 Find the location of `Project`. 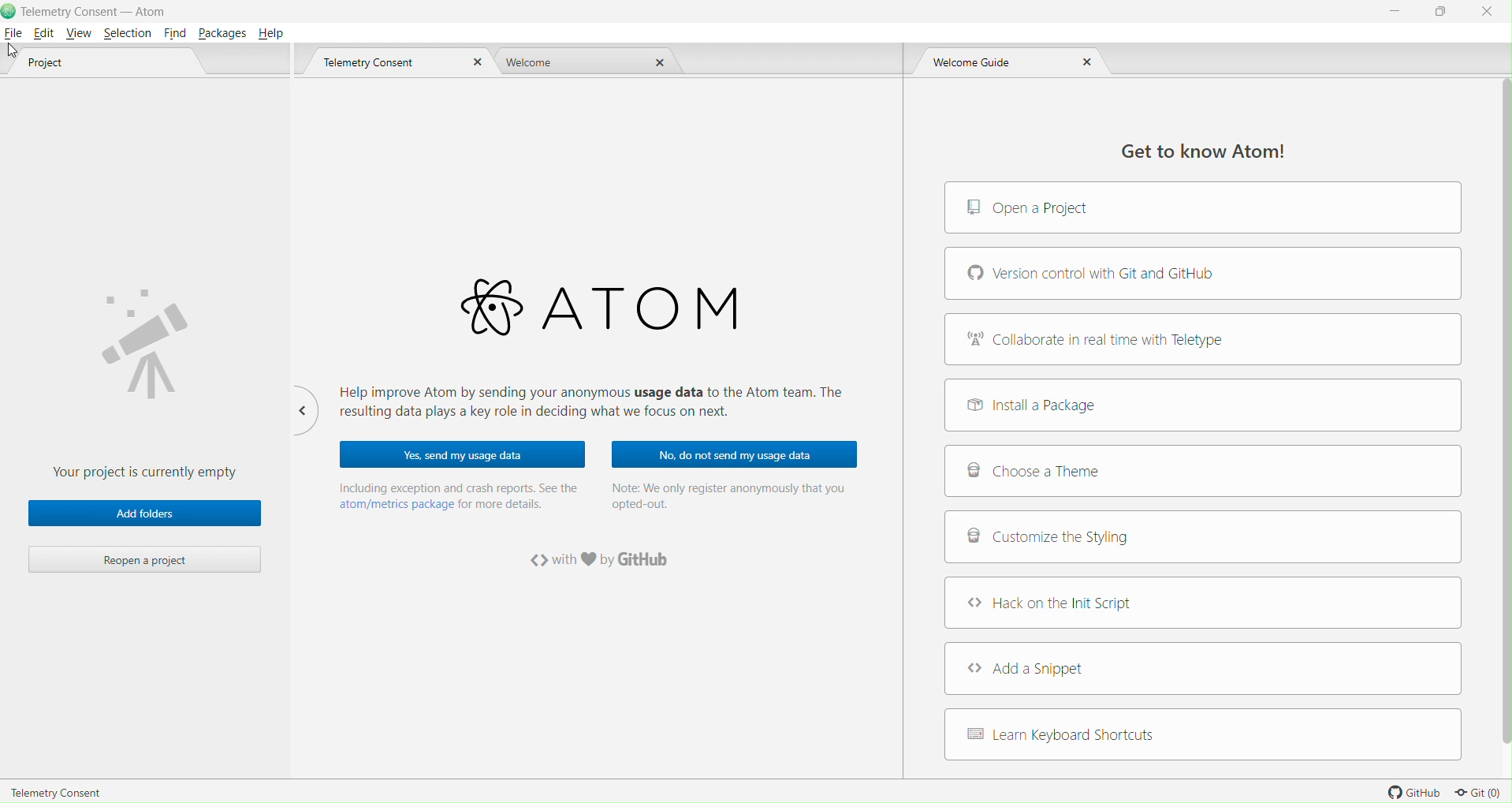

Project is located at coordinates (66, 65).